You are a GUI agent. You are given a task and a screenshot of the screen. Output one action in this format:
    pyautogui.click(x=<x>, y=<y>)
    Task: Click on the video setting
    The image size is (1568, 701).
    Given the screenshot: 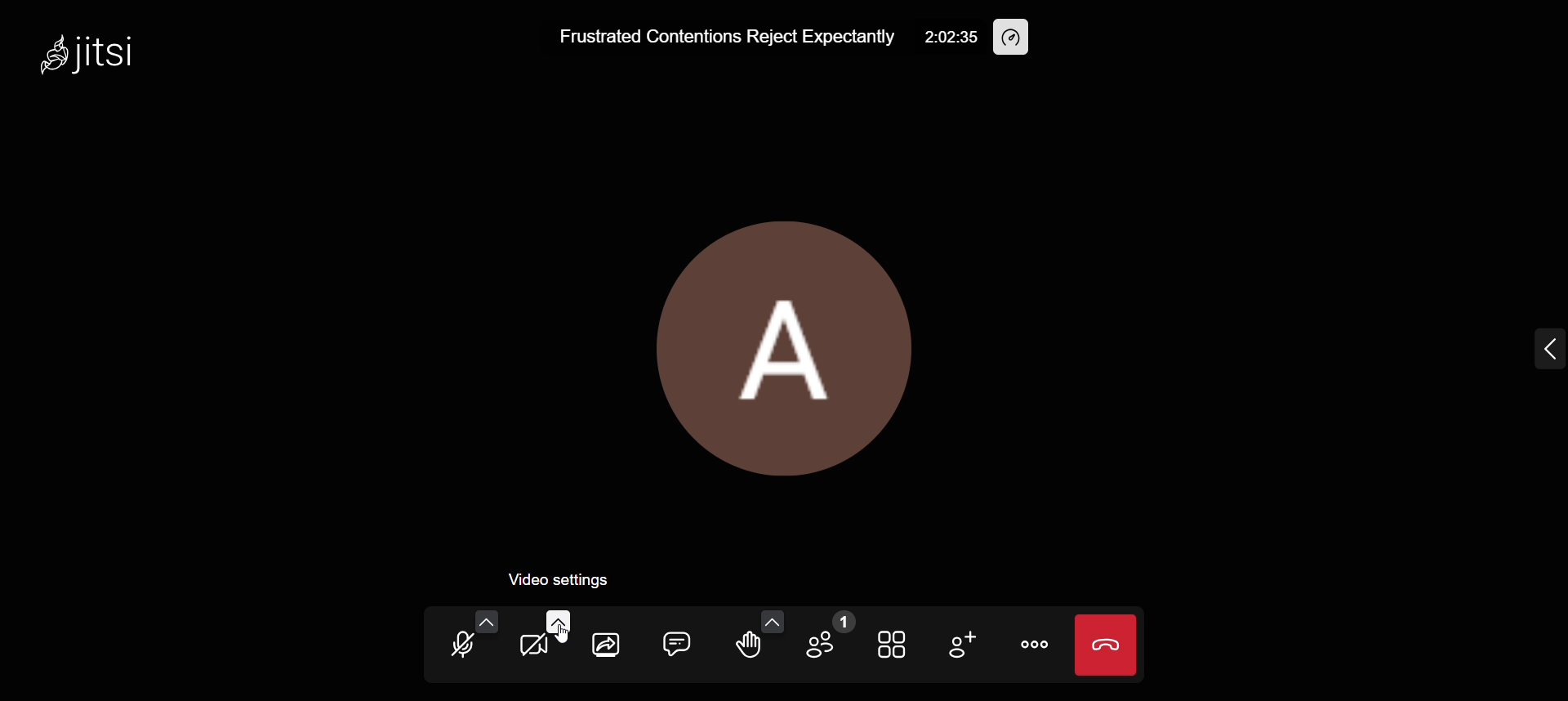 What is the action you would take?
    pyautogui.click(x=554, y=623)
    